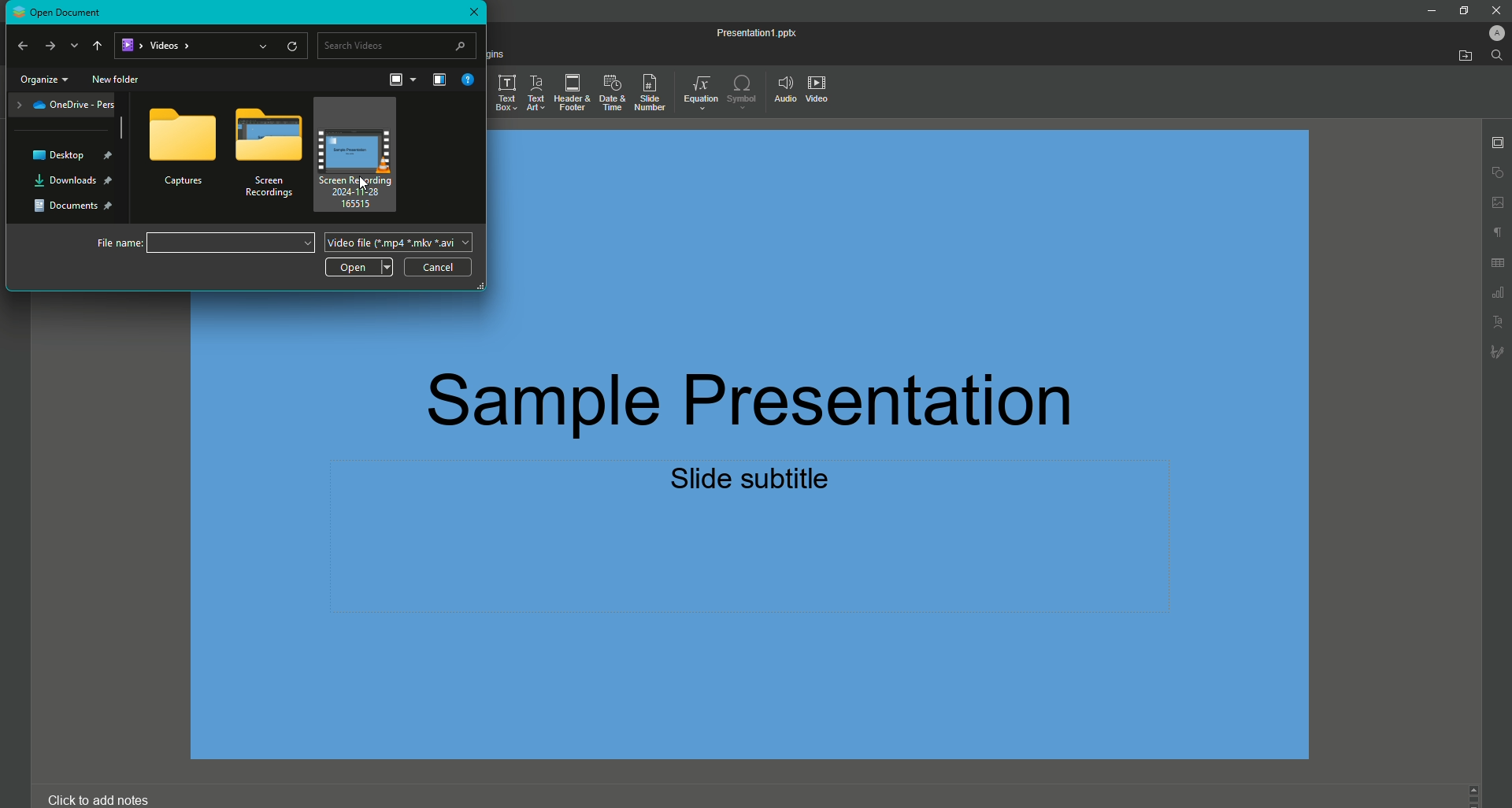 The image size is (1512, 808). I want to click on OneDrive, so click(62, 106).